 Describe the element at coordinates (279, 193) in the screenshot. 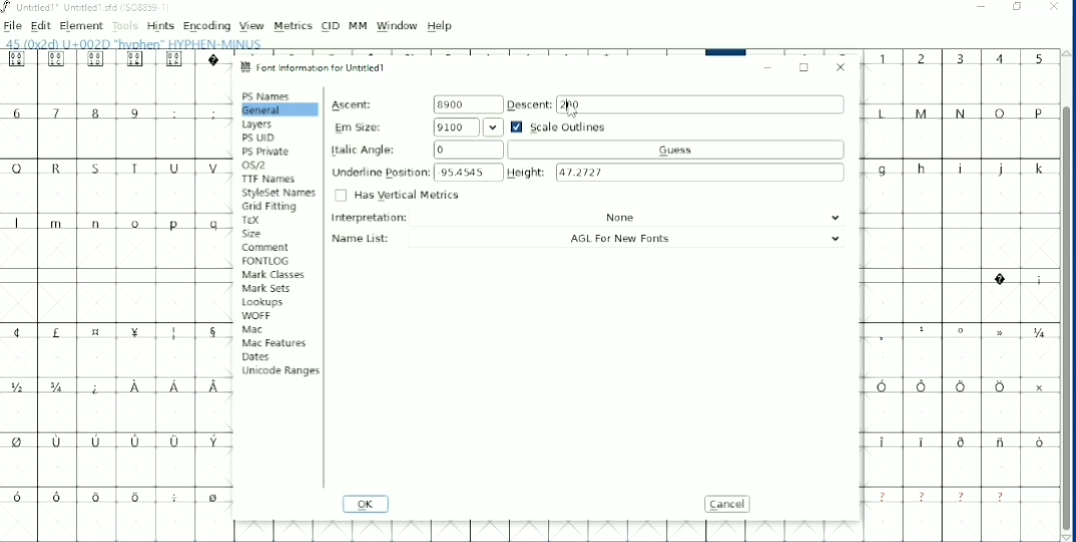

I see `StyleSet Names` at that location.